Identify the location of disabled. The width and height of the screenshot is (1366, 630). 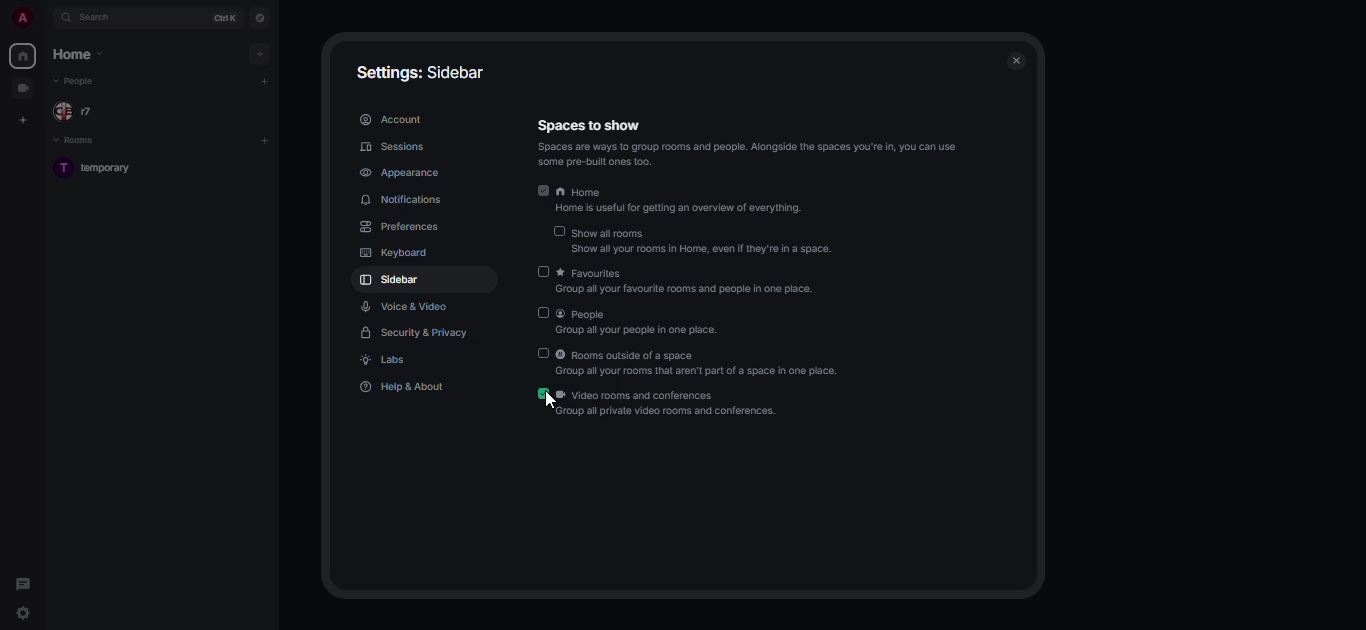
(544, 312).